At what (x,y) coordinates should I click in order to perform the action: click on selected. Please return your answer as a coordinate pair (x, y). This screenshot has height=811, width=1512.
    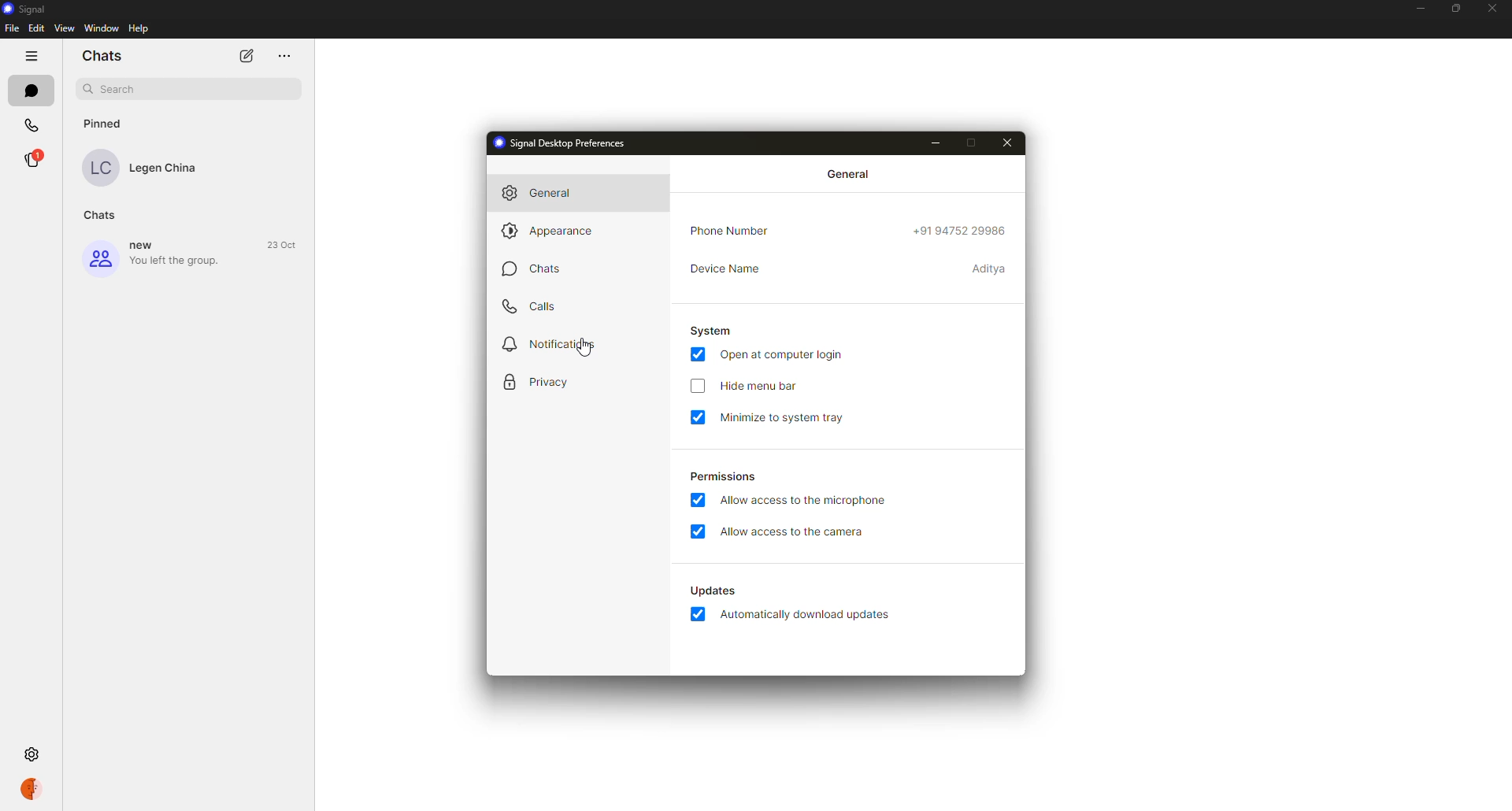
    Looking at the image, I should click on (696, 354).